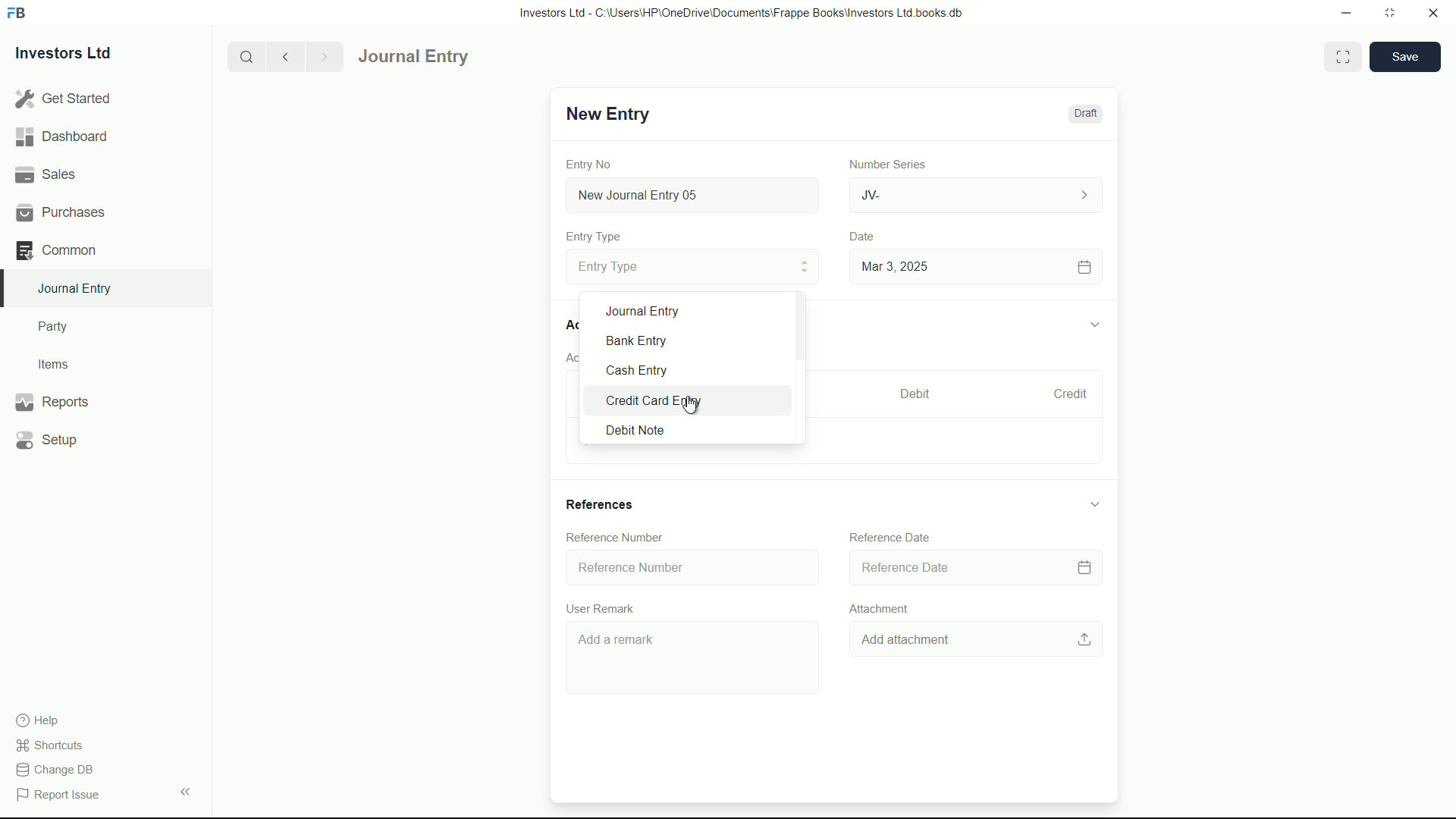  What do you see at coordinates (601, 505) in the screenshot?
I see `References` at bounding box center [601, 505].